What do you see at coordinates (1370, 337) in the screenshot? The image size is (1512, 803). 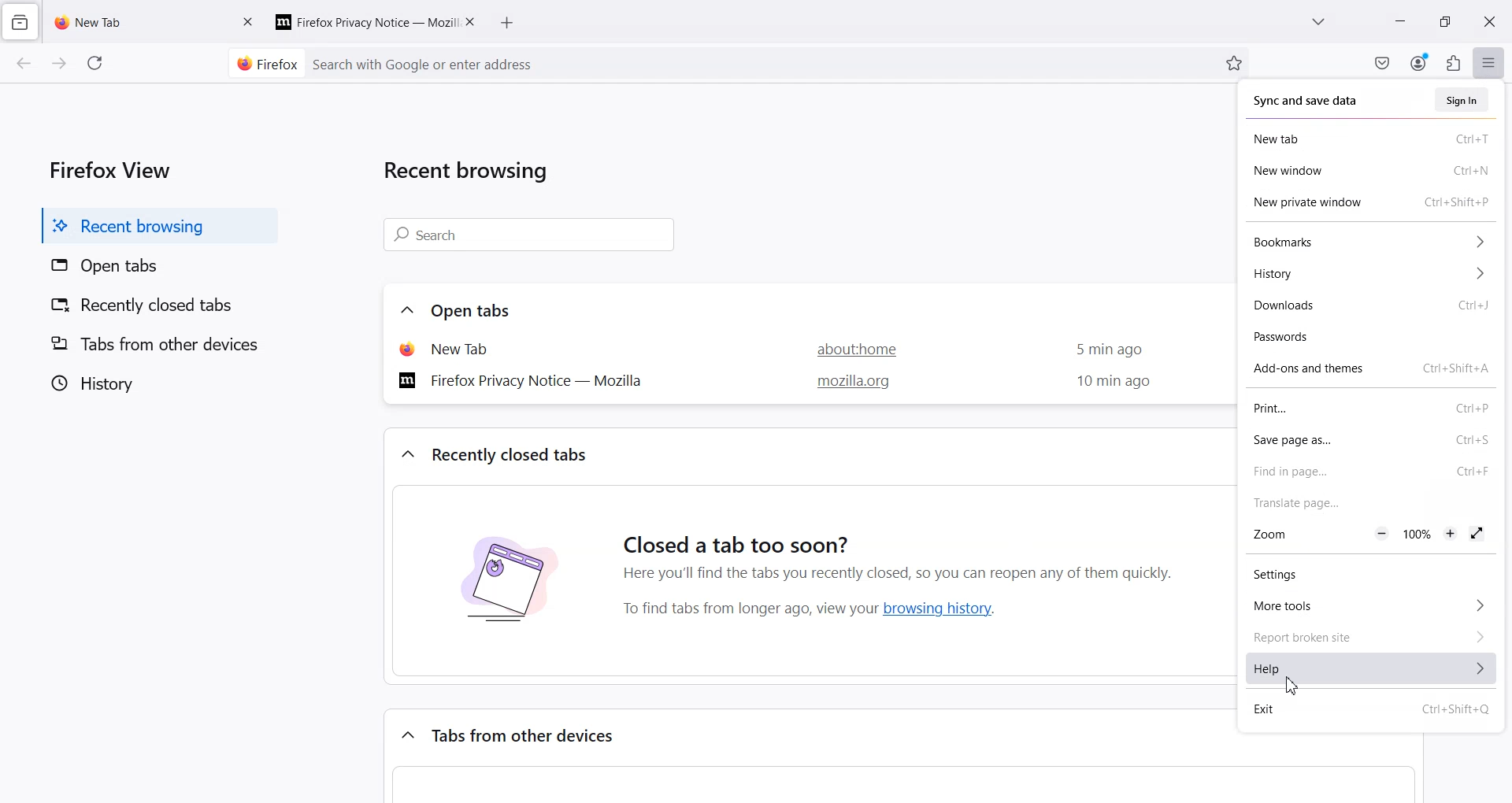 I see `Passwords` at bounding box center [1370, 337].